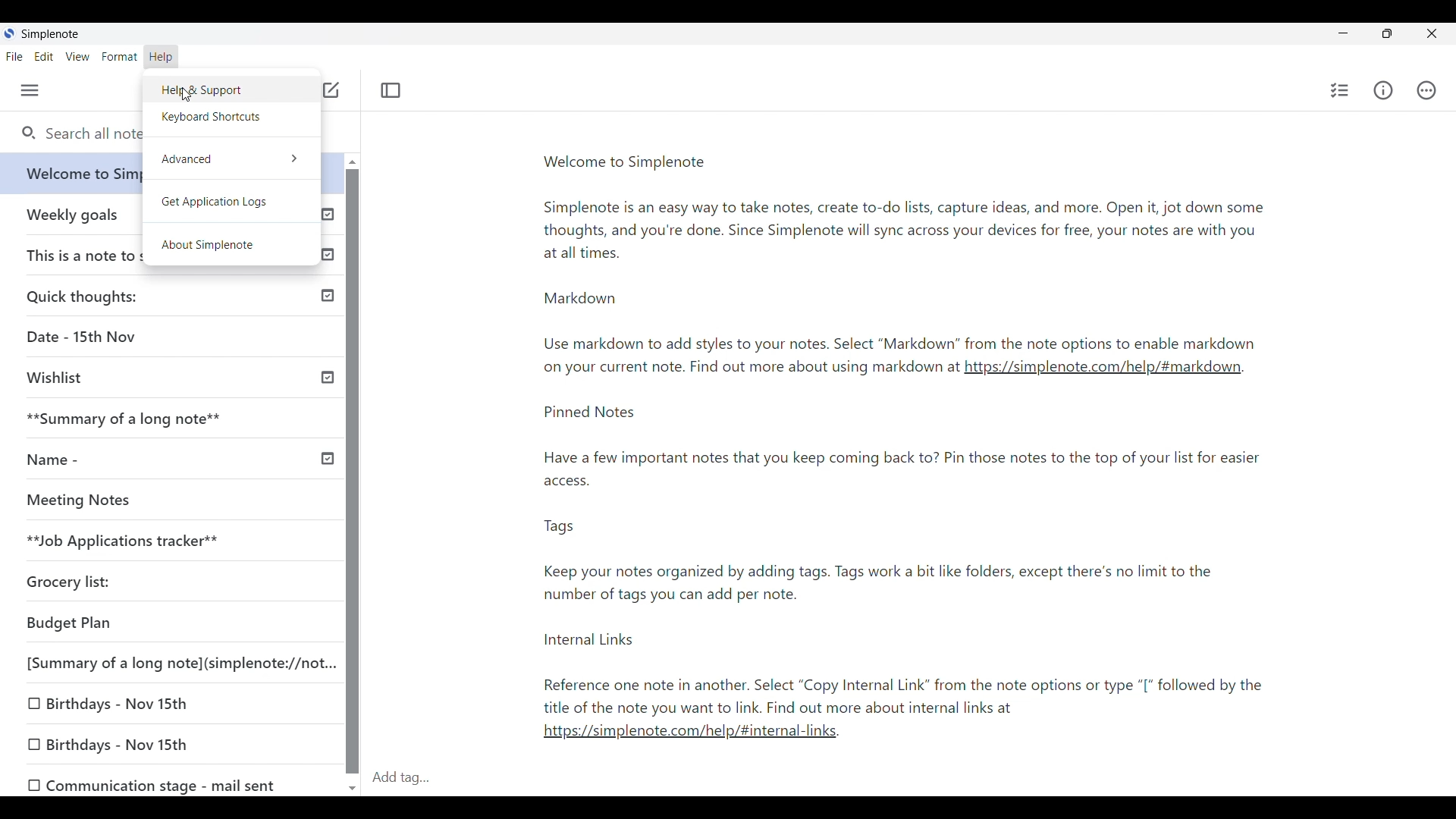  I want to click on Info, so click(1383, 89).